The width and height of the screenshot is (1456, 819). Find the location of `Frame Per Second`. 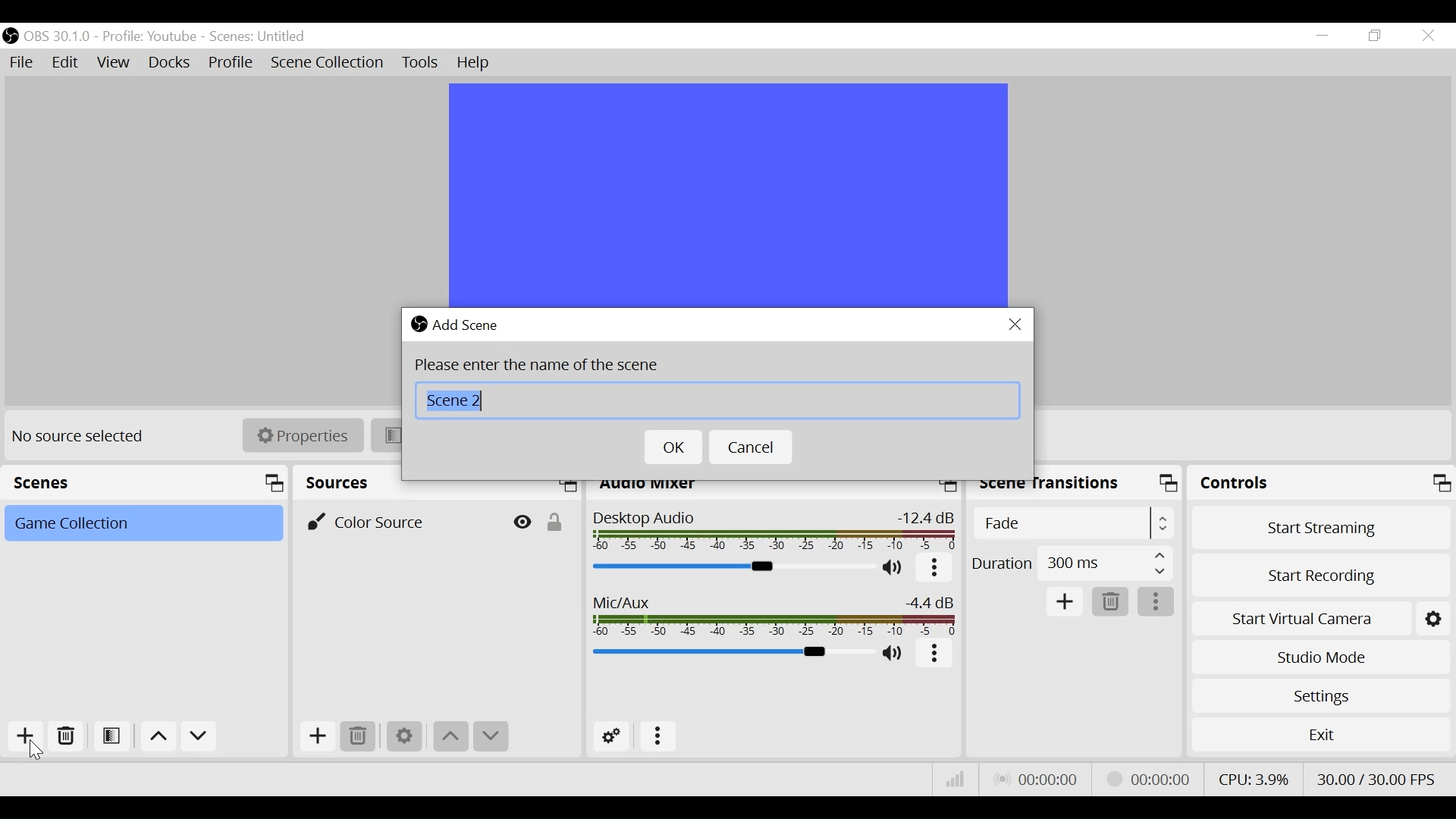

Frame Per Second is located at coordinates (1380, 778).